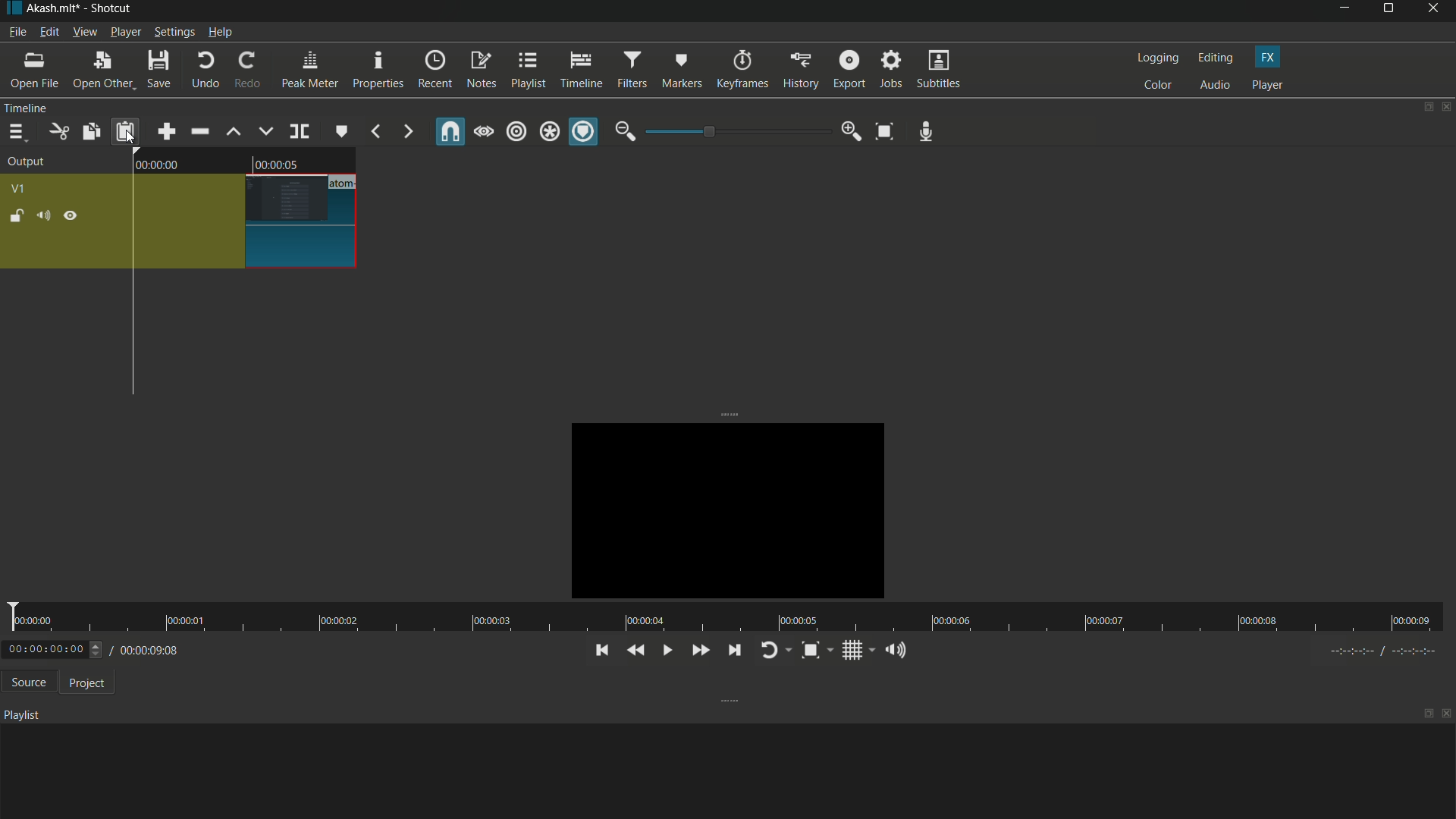  What do you see at coordinates (126, 31) in the screenshot?
I see `player menu` at bounding box center [126, 31].